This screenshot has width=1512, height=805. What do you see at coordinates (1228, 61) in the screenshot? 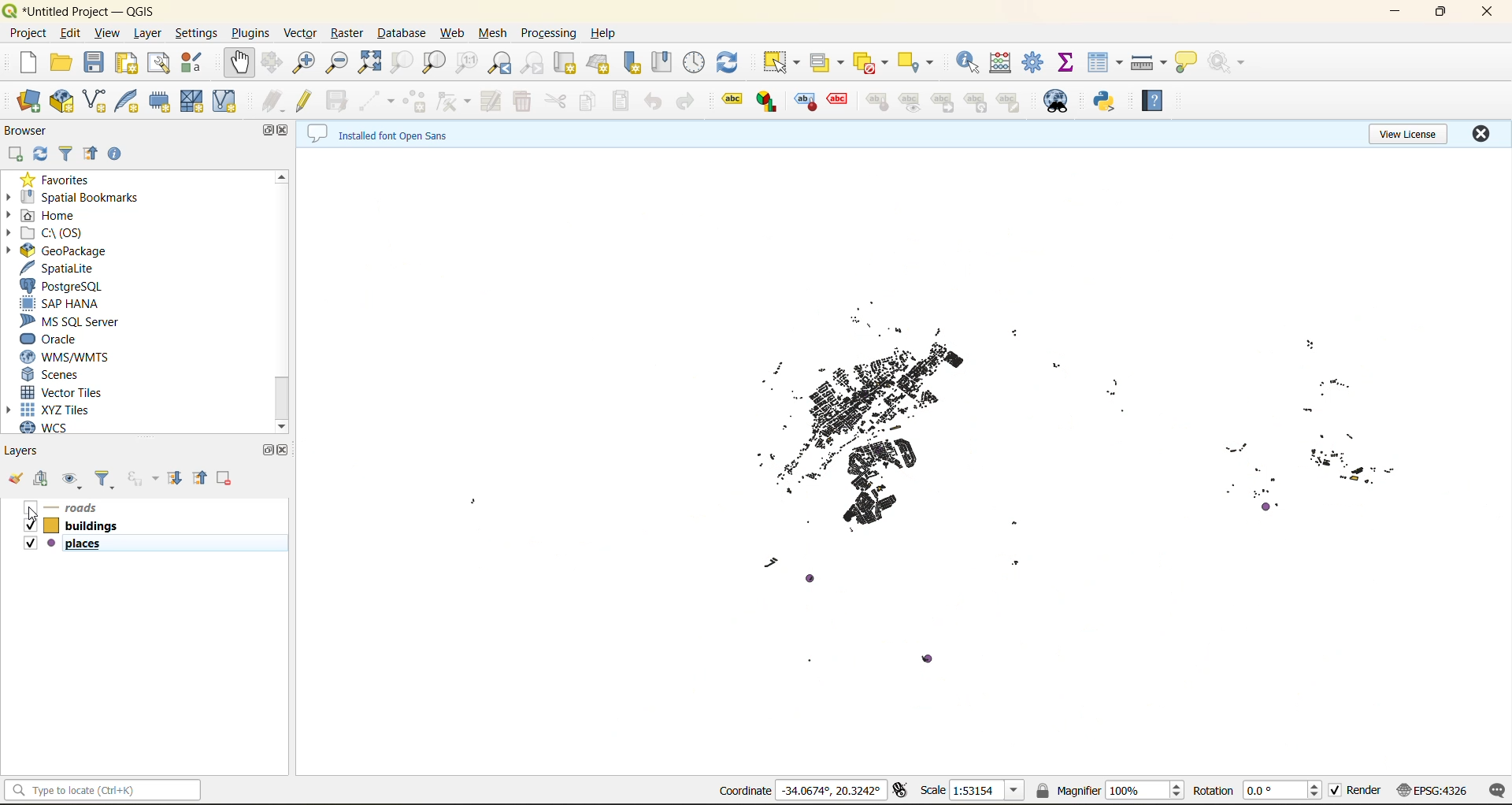
I see `no action` at bounding box center [1228, 61].